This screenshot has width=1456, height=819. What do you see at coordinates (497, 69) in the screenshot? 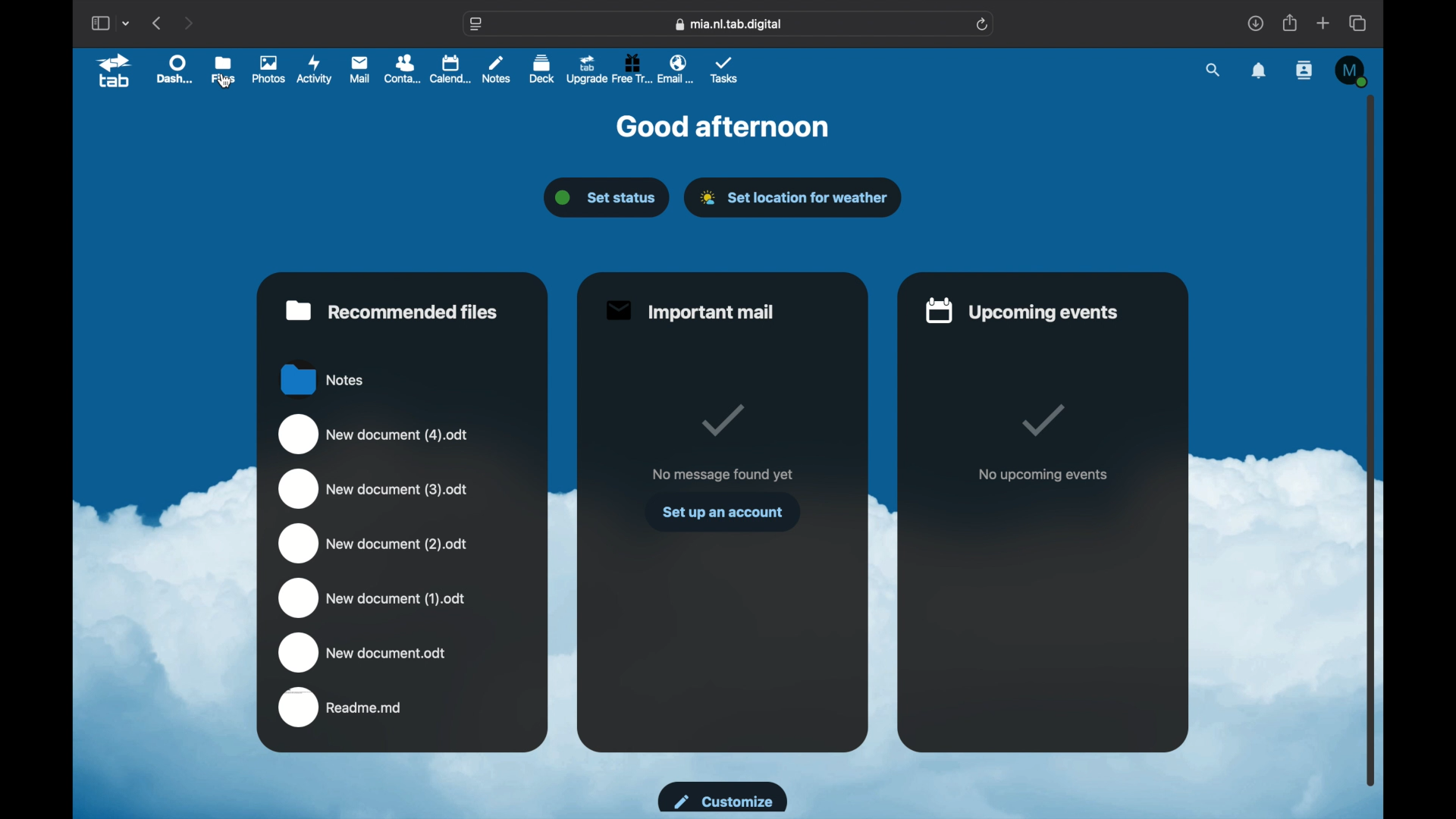
I see `notes` at bounding box center [497, 69].